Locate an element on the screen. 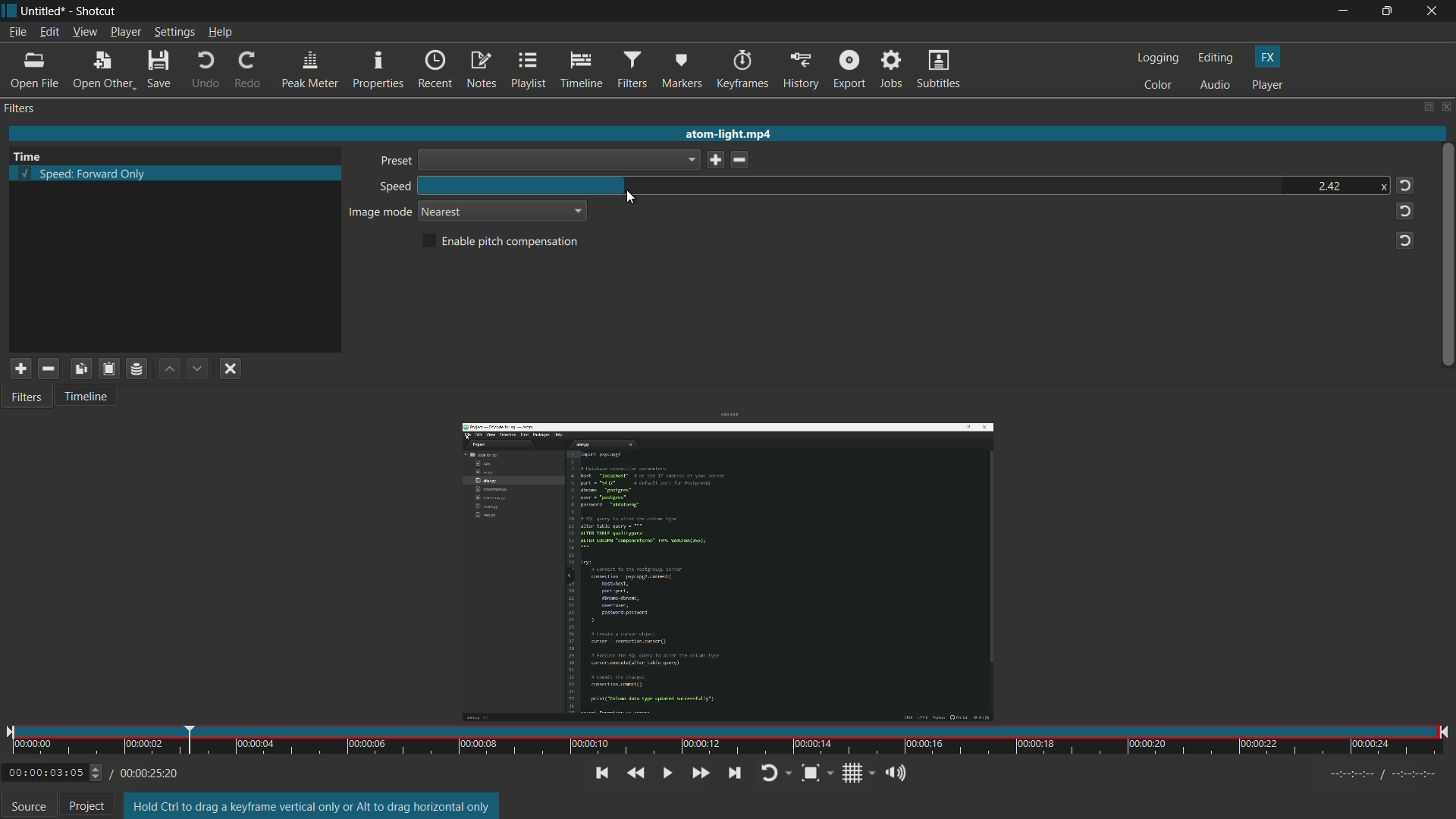  skip to the previous point is located at coordinates (600, 773).